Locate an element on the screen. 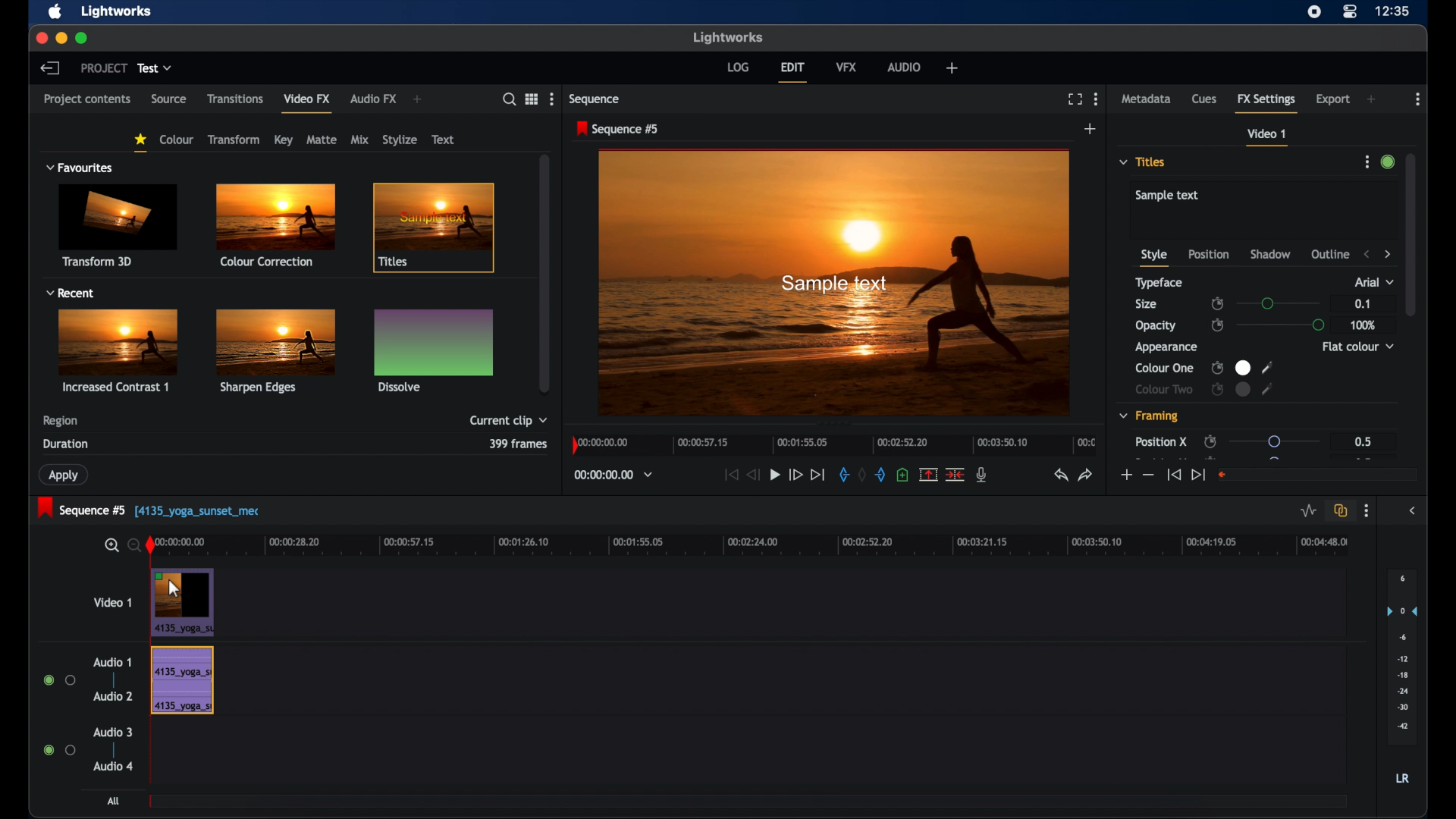 The image size is (1456, 819). sample text is located at coordinates (1166, 195).